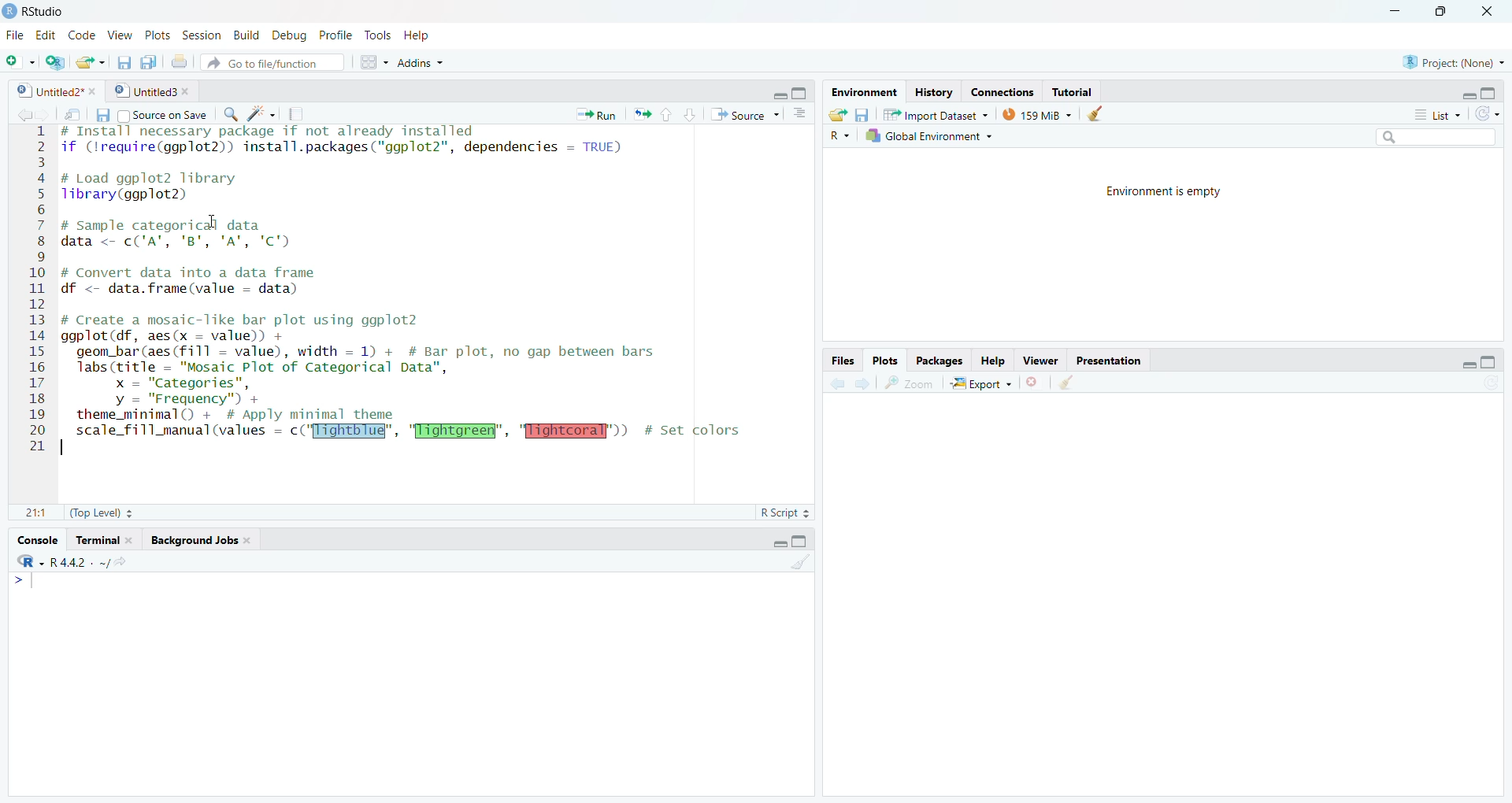  Describe the element at coordinates (1488, 114) in the screenshot. I see `Refresh` at that location.